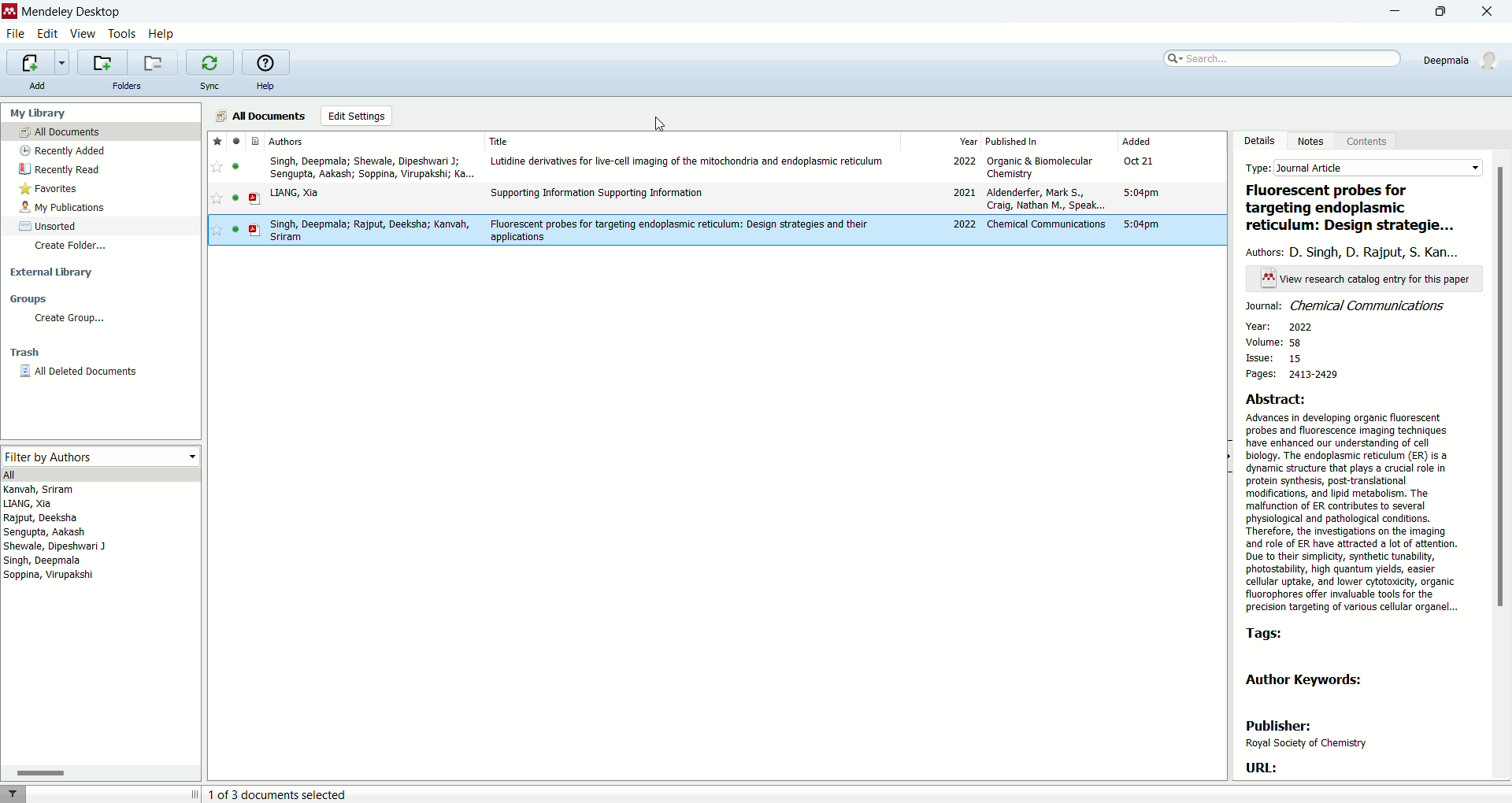  What do you see at coordinates (48, 272) in the screenshot?
I see `external library` at bounding box center [48, 272].